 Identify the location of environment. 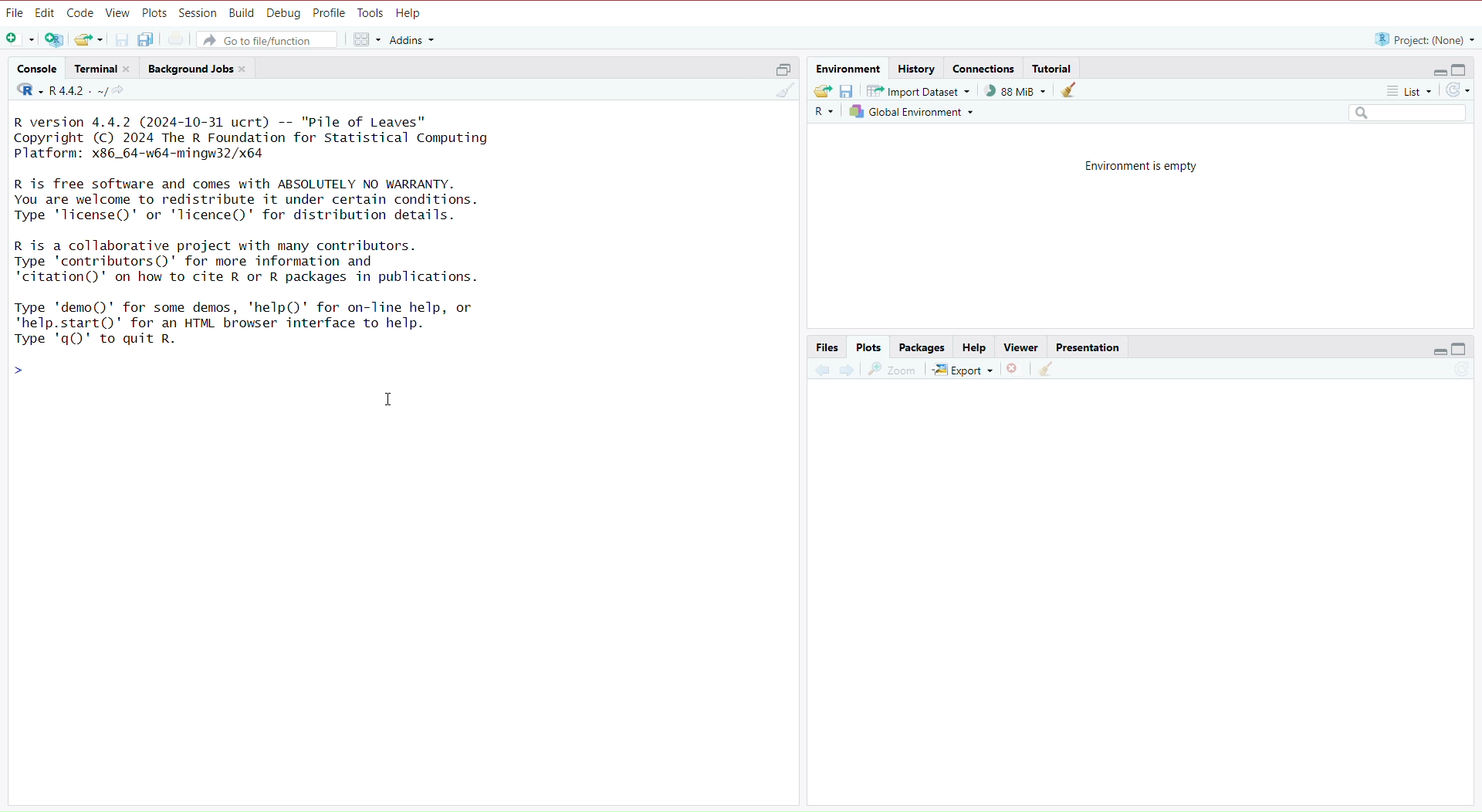
(849, 69).